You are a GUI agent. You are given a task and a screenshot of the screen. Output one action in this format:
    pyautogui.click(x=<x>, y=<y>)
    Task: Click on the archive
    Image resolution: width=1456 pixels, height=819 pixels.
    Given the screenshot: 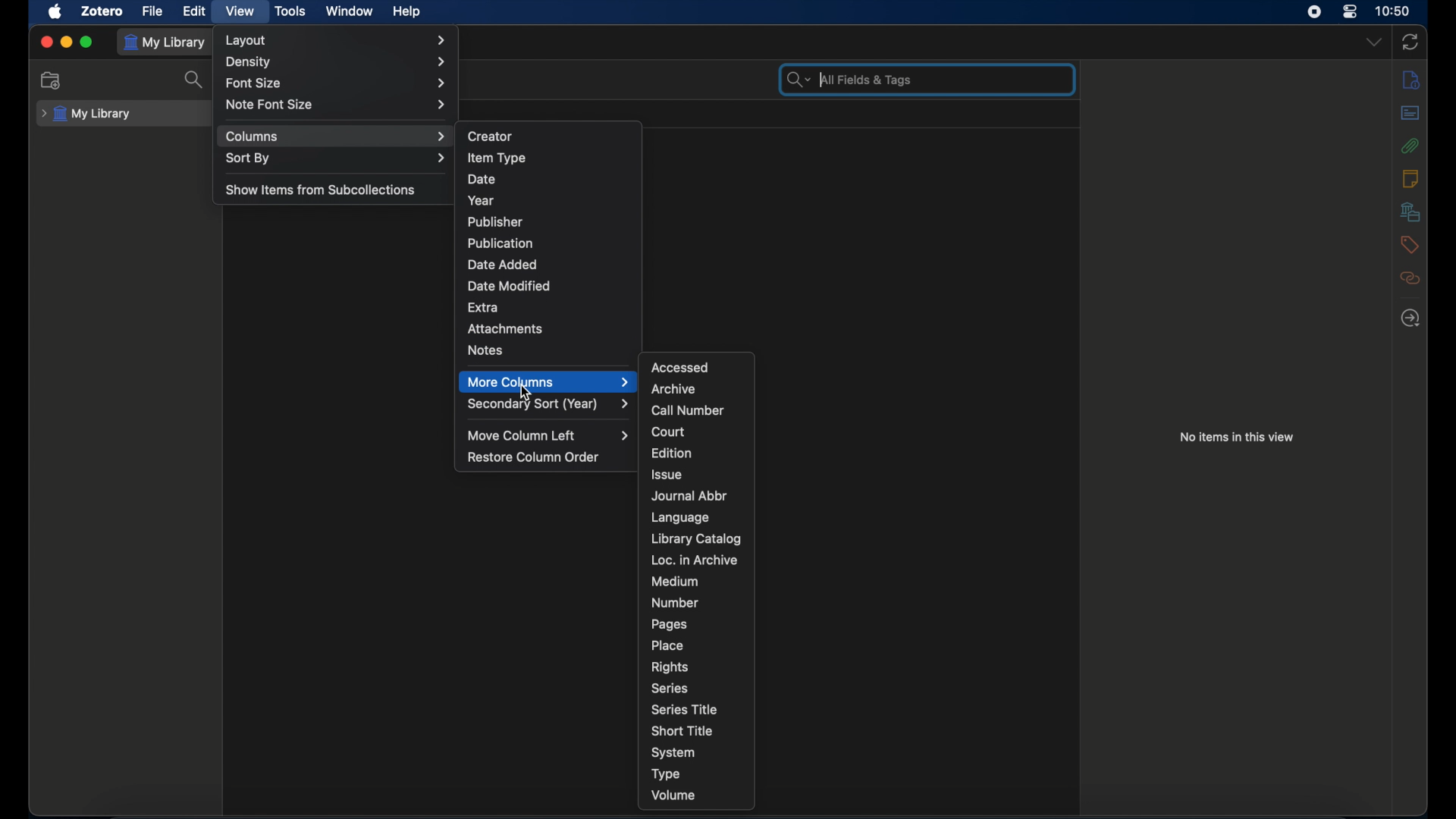 What is the action you would take?
    pyautogui.click(x=674, y=388)
    